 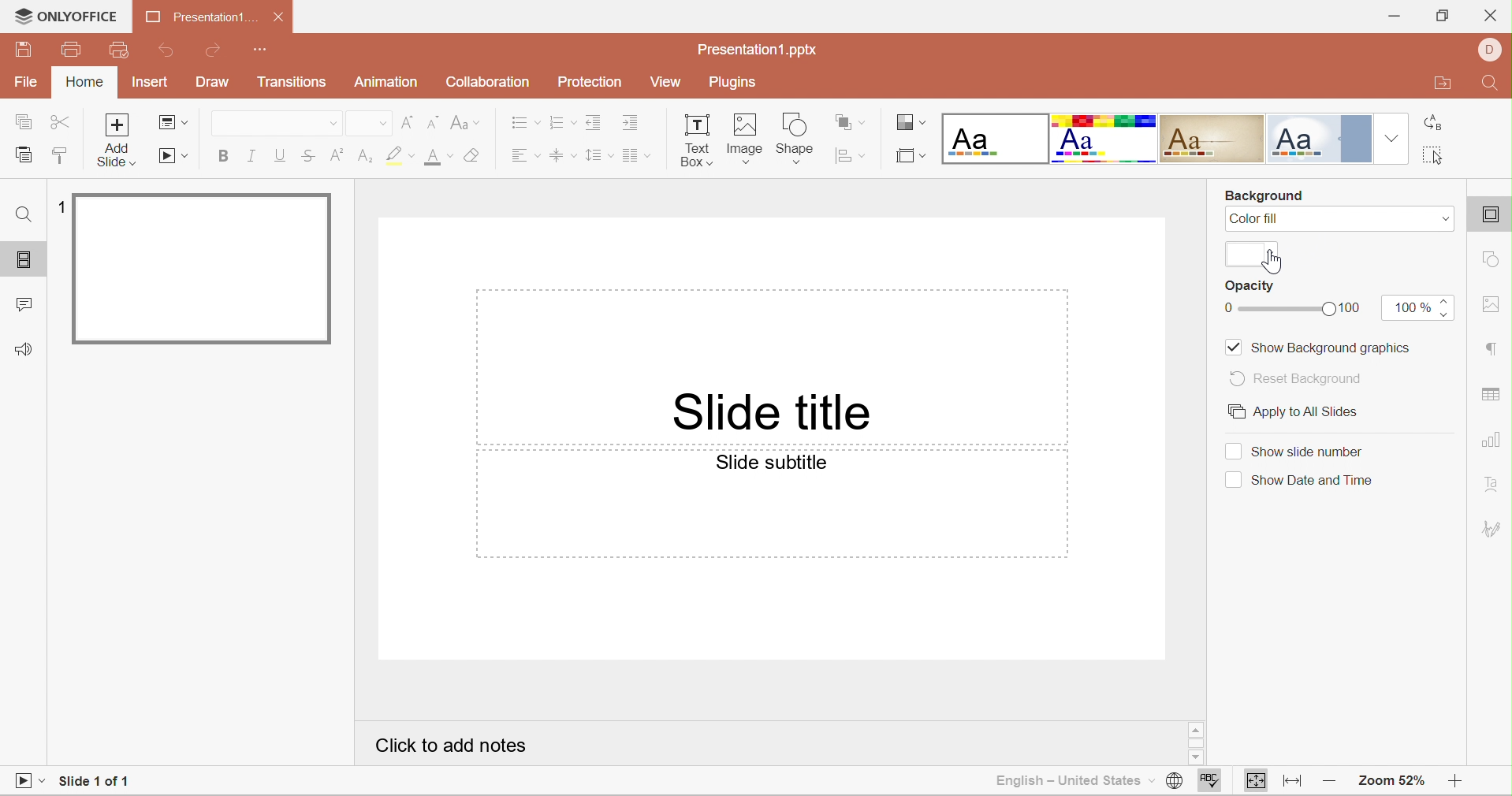 I want to click on Background, so click(x=1266, y=197).